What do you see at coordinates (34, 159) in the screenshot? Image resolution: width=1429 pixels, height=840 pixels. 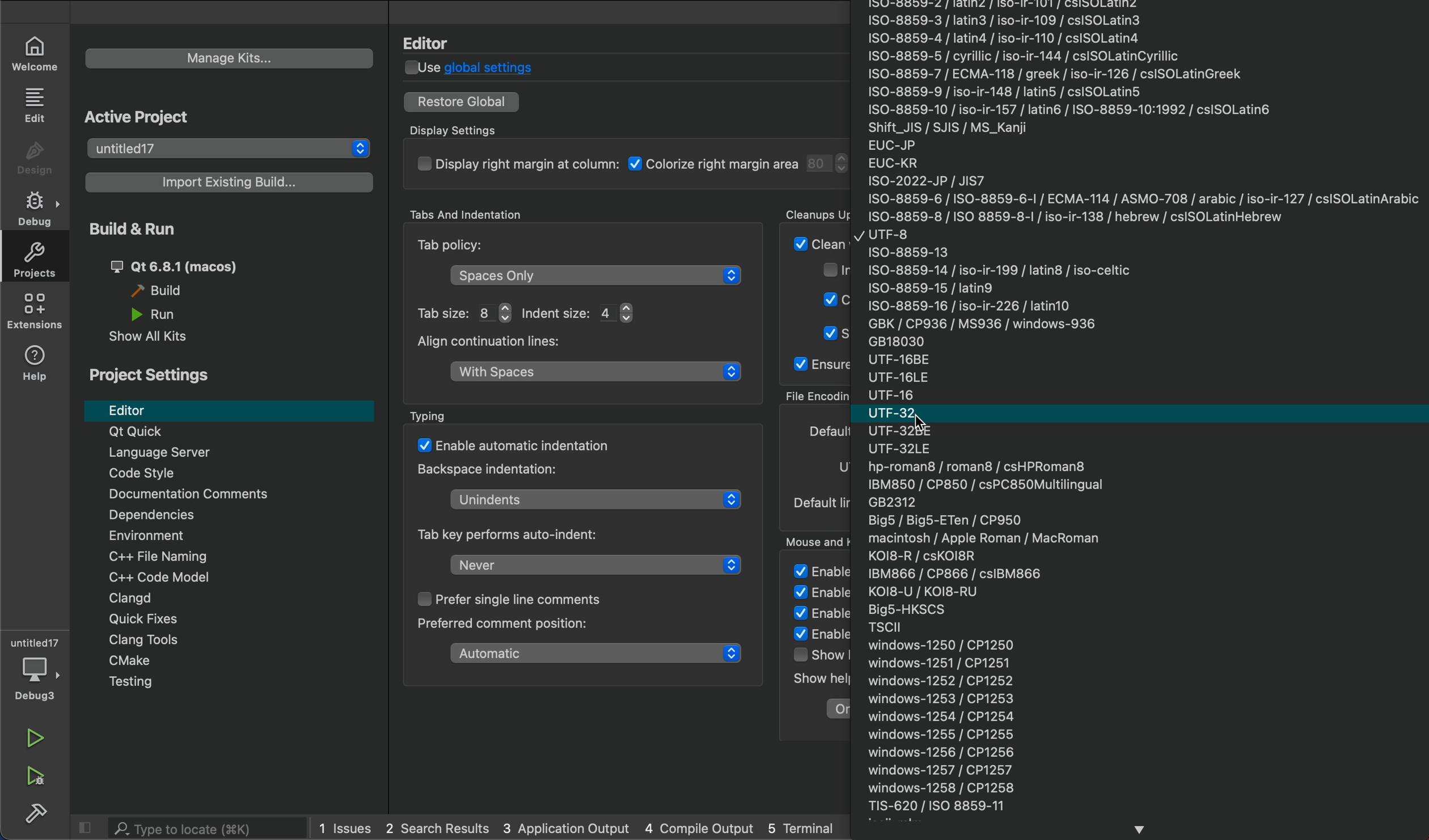 I see `design` at bounding box center [34, 159].